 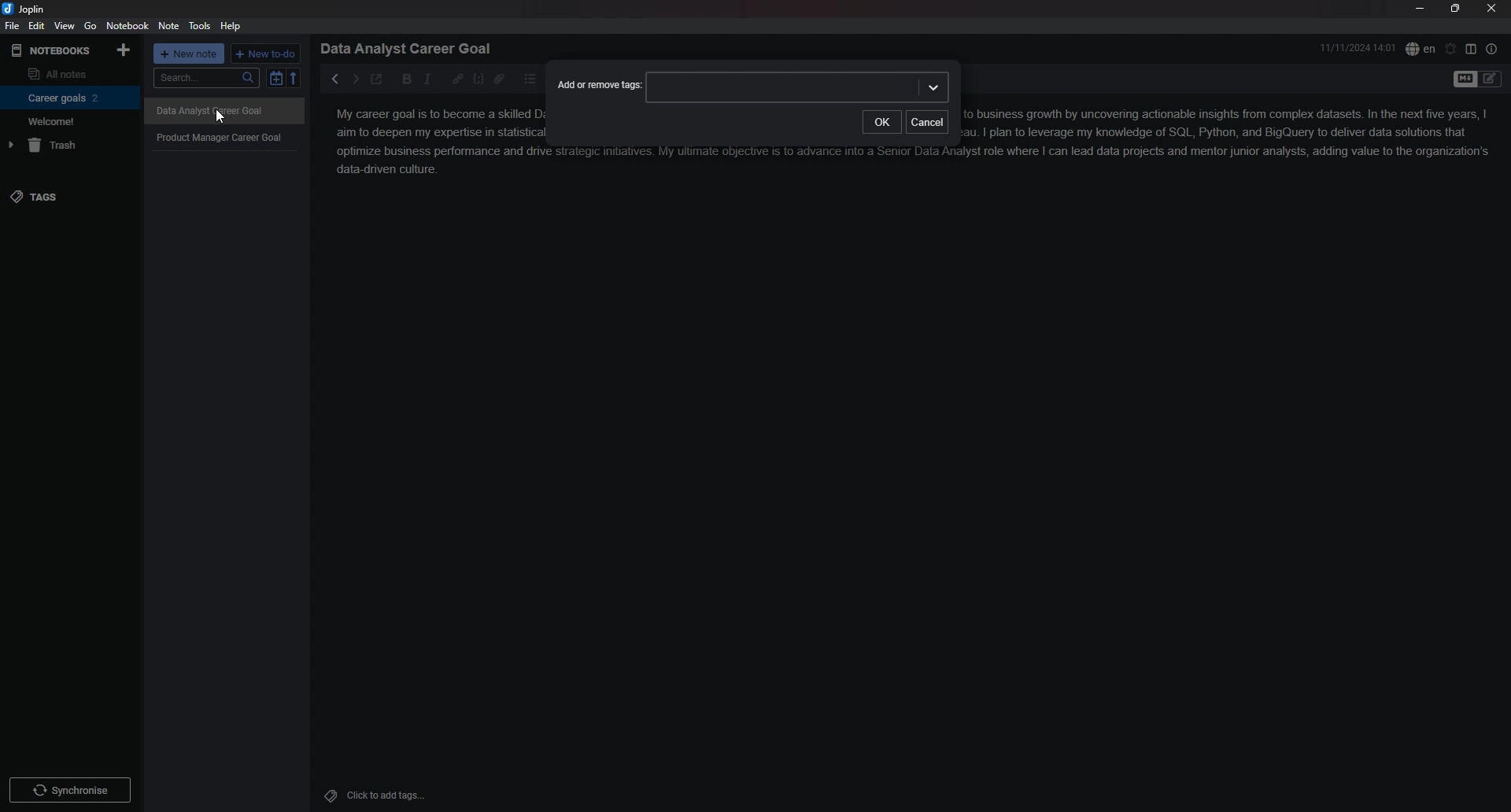 I want to click on hyperlink, so click(x=457, y=79).